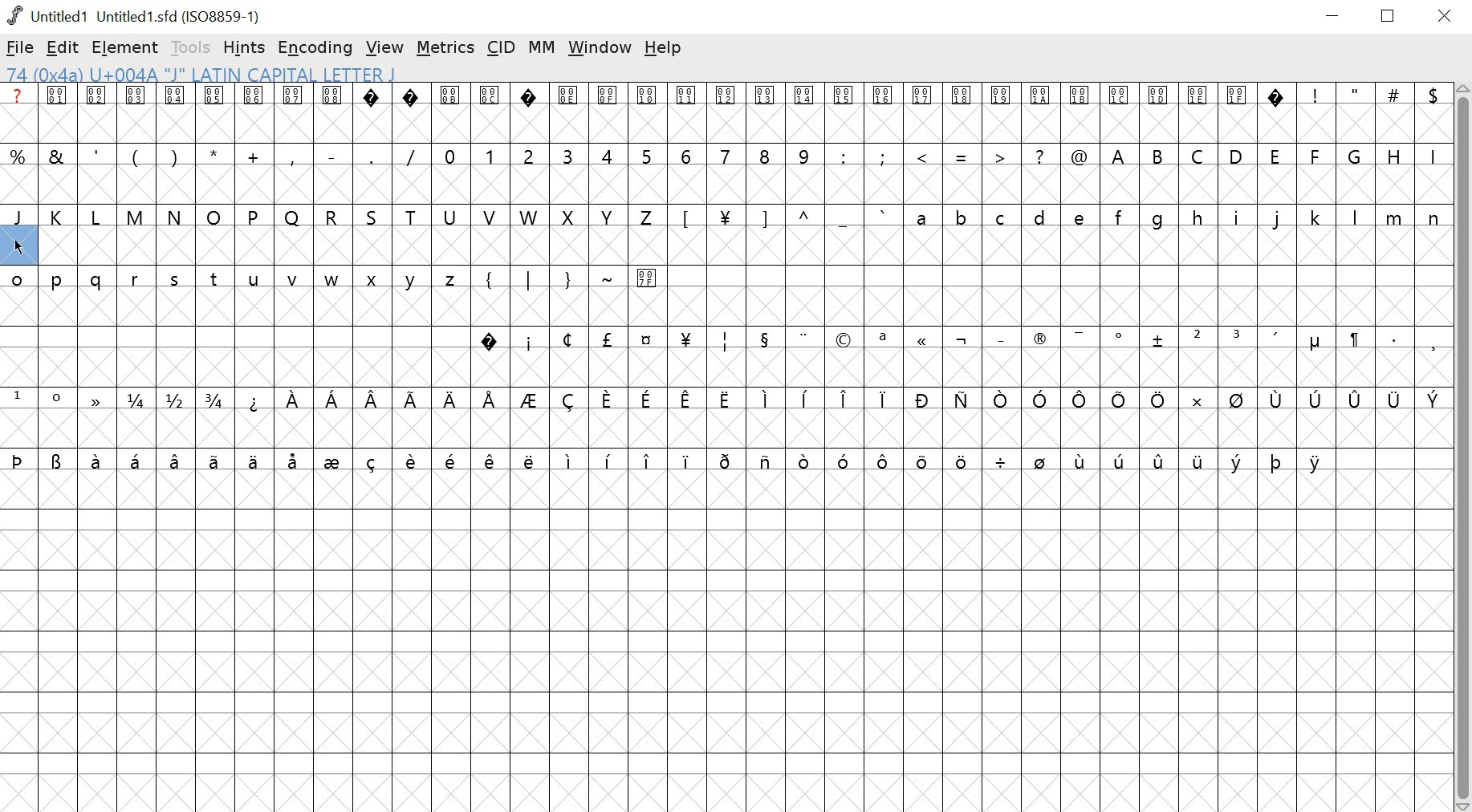  What do you see at coordinates (958, 158) in the screenshot?
I see `special characters` at bounding box center [958, 158].